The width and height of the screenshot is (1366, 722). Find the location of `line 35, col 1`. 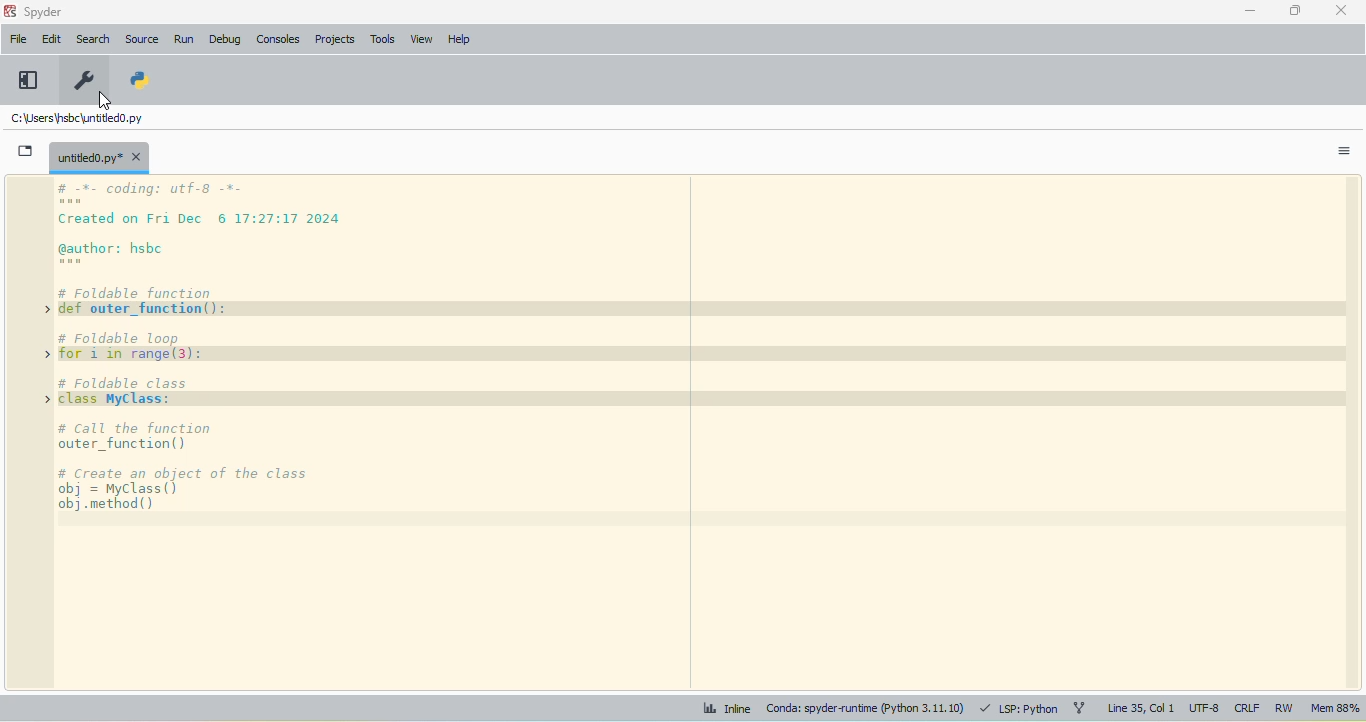

line 35, col 1 is located at coordinates (1140, 708).